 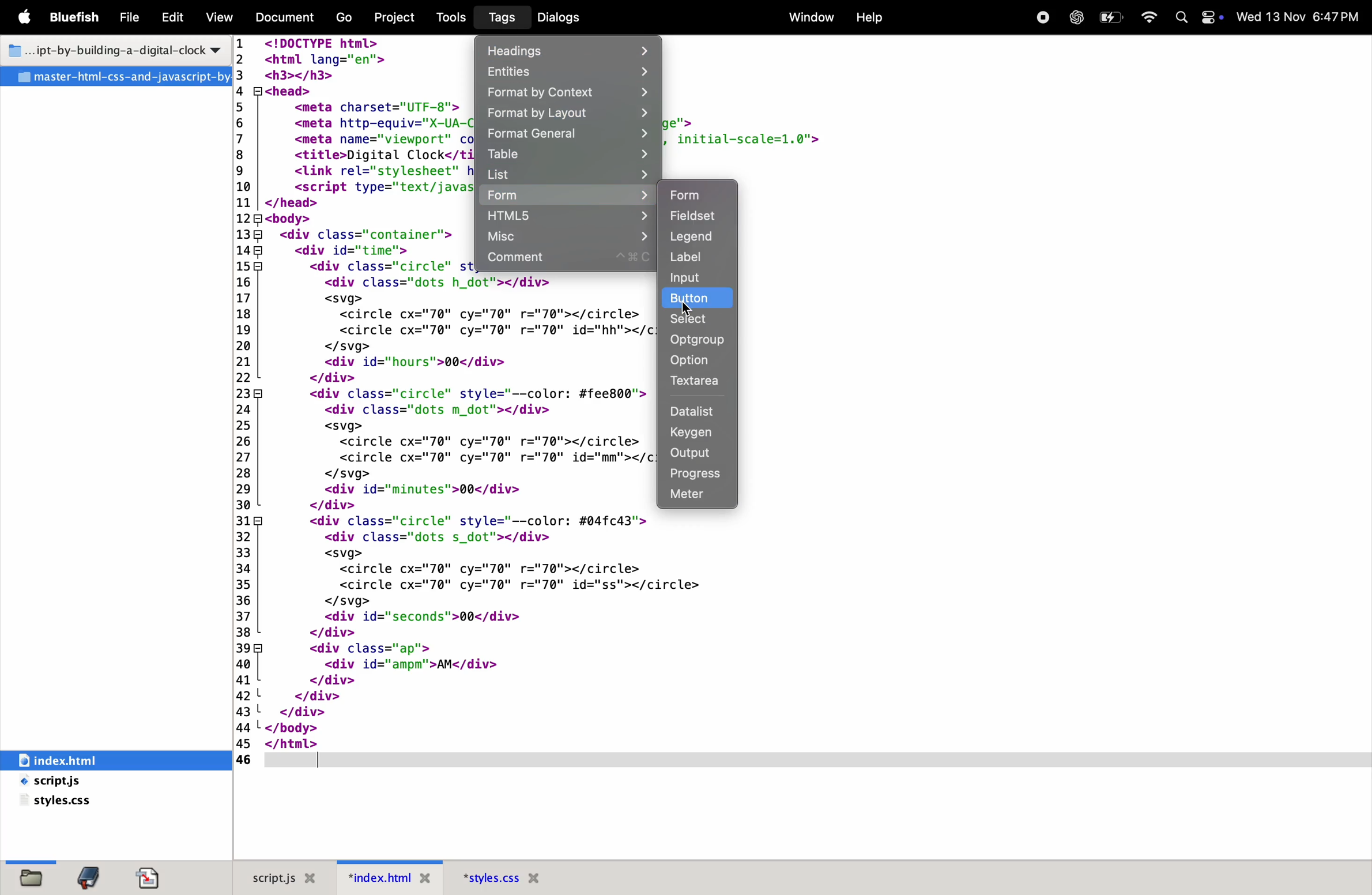 What do you see at coordinates (488, 878) in the screenshot?
I see `Style.css` at bounding box center [488, 878].